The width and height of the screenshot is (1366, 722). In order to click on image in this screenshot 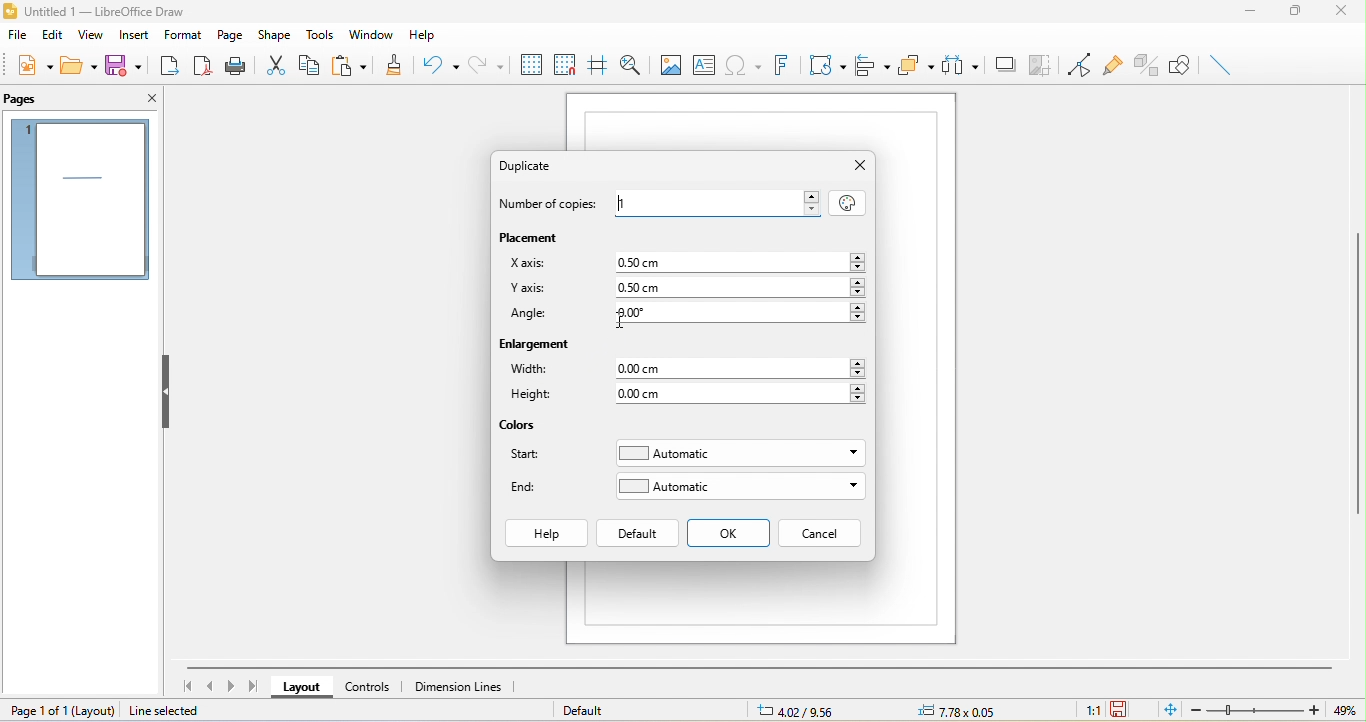, I will do `click(669, 63)`.